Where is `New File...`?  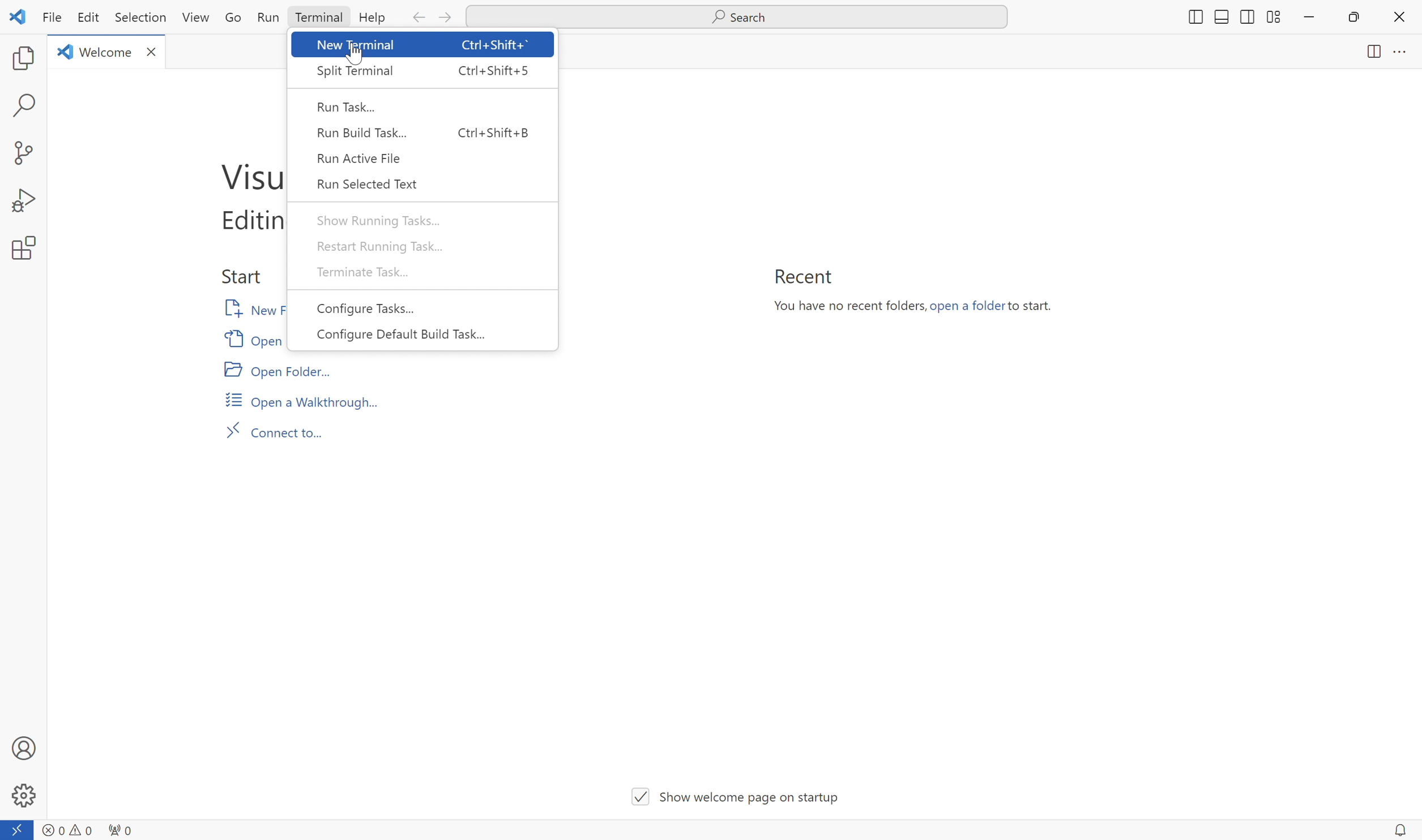
New File... is located at coordinates (249, 308).